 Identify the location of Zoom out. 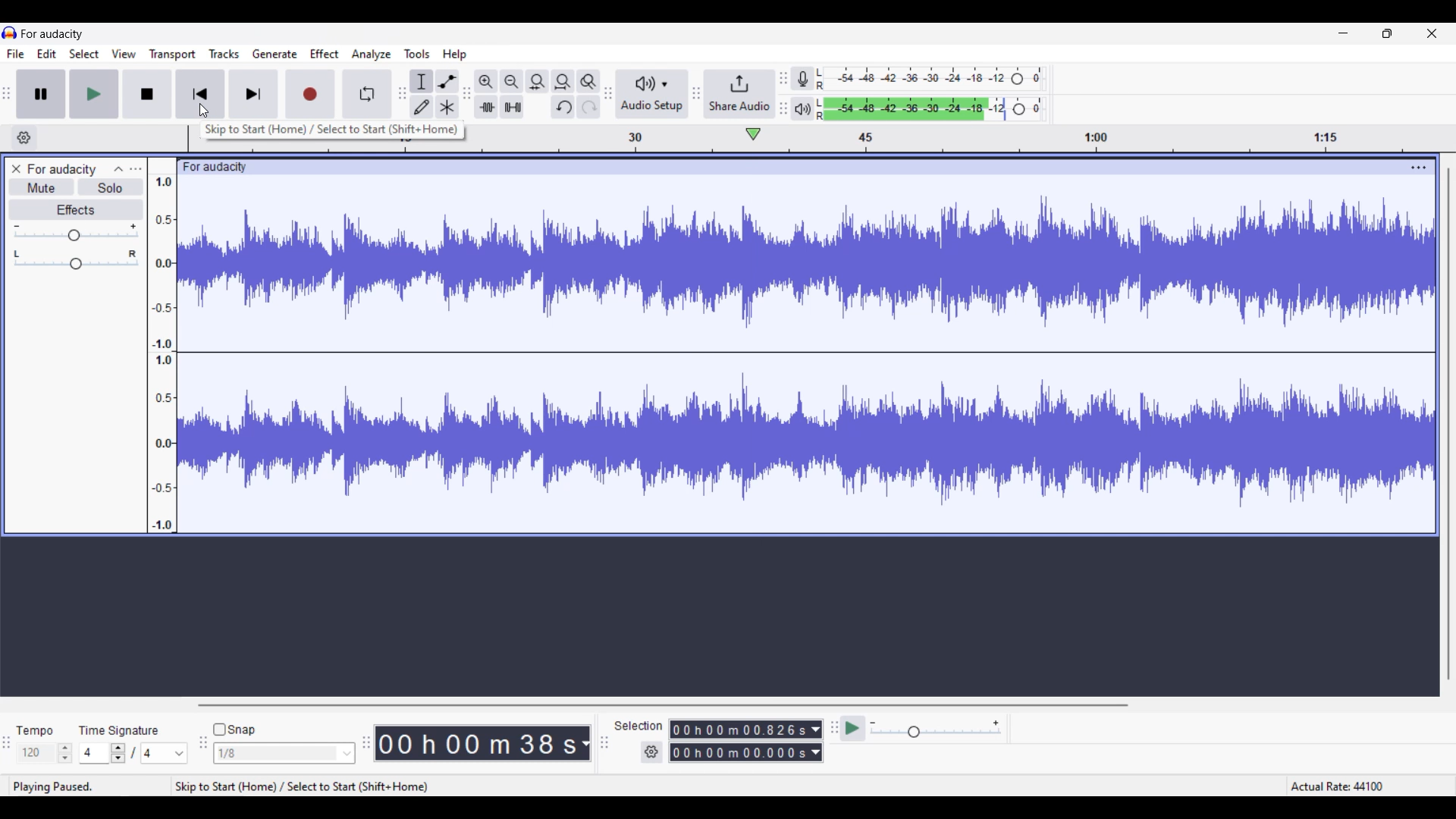
(513, 82).